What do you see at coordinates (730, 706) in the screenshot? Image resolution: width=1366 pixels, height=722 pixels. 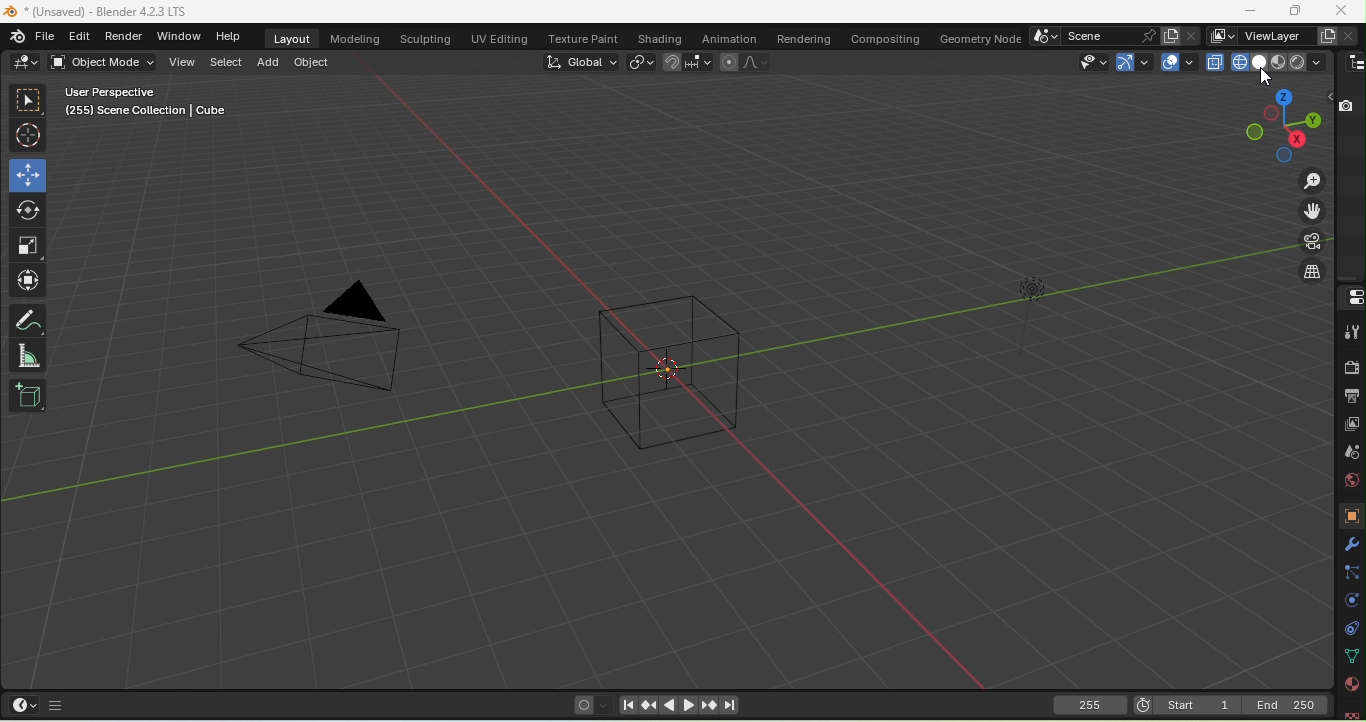 I see `Jump to first/last frame in frame range` at bounding box center [730, 706].